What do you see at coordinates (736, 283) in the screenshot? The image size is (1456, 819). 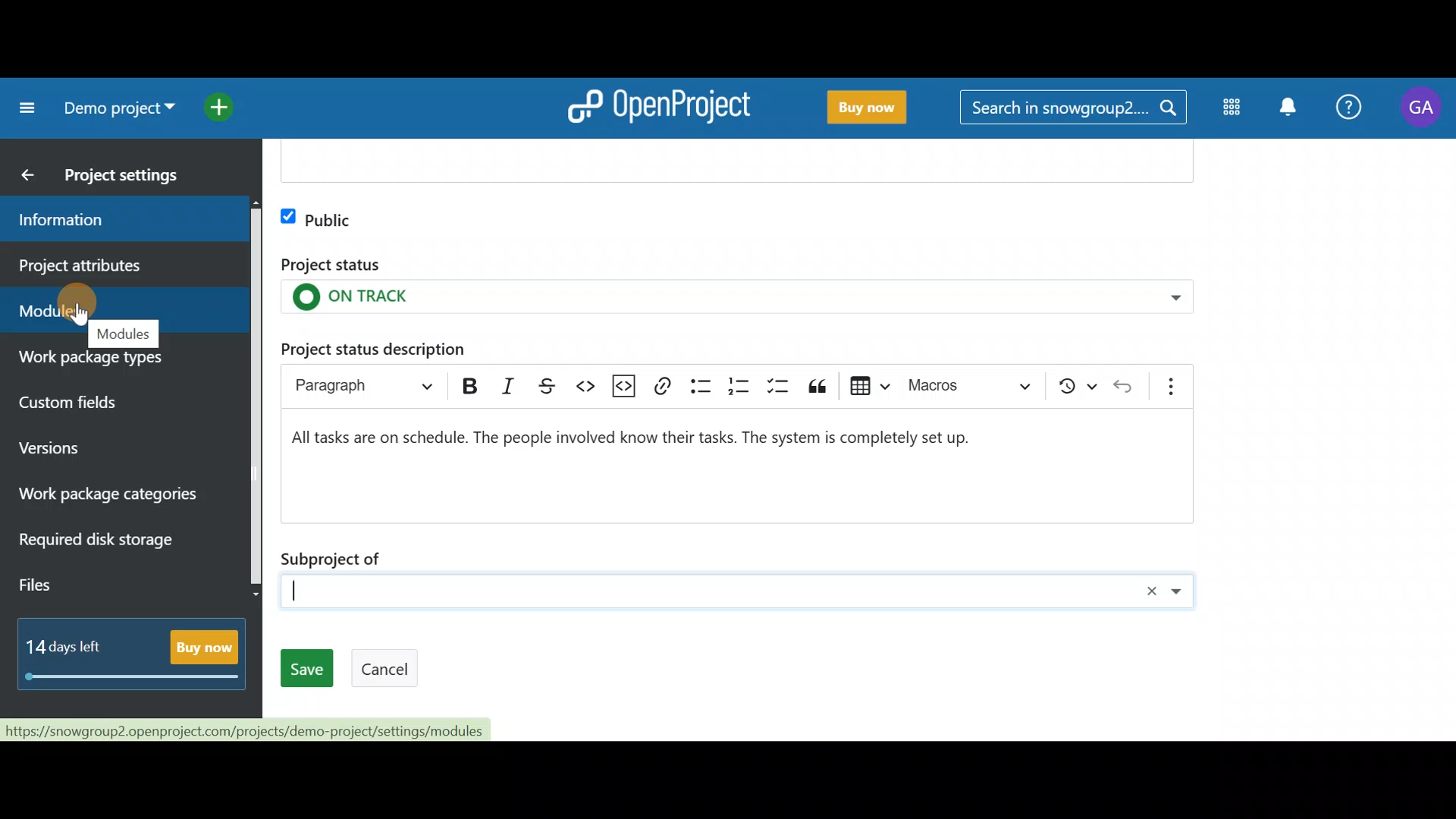 I see `Project status` at bounding box center [736, 283].